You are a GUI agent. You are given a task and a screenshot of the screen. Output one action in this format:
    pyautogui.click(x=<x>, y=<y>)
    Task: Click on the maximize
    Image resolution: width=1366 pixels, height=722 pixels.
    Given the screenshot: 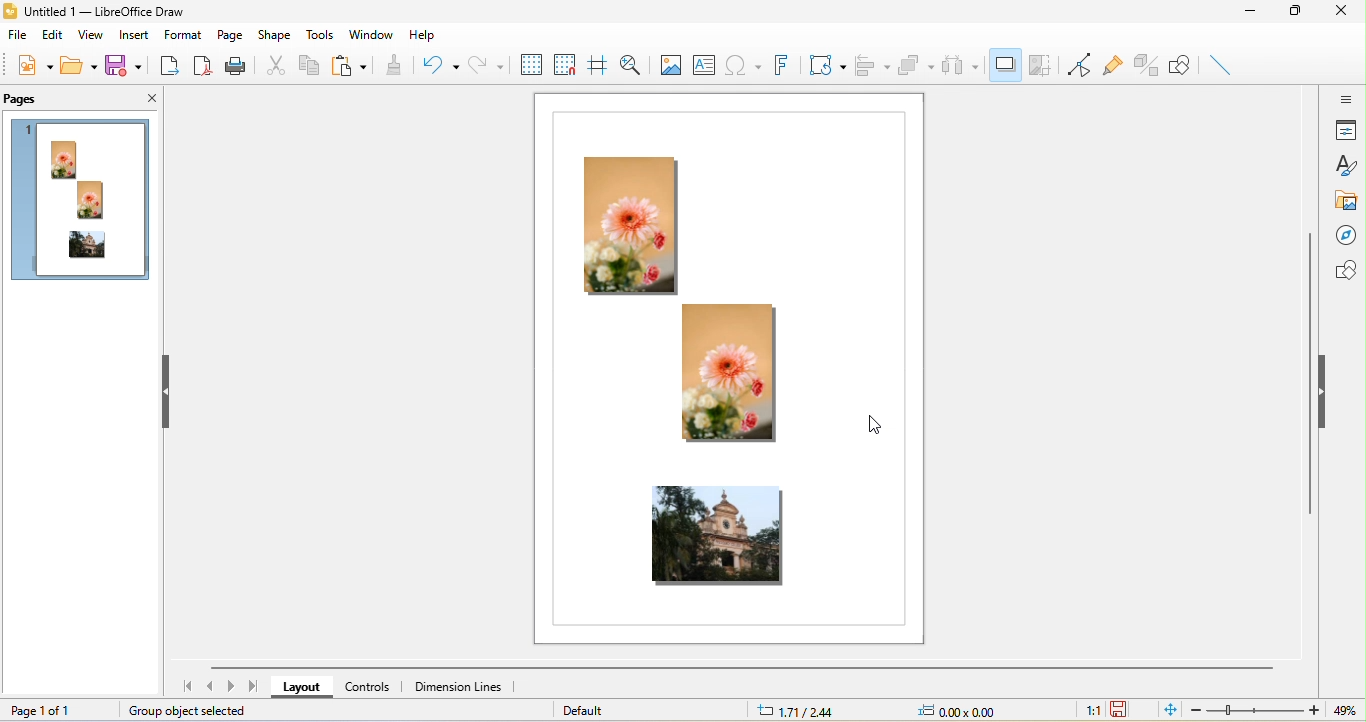 What is the action you would take?
    pyautogui.click(x=1300, y=12)
    